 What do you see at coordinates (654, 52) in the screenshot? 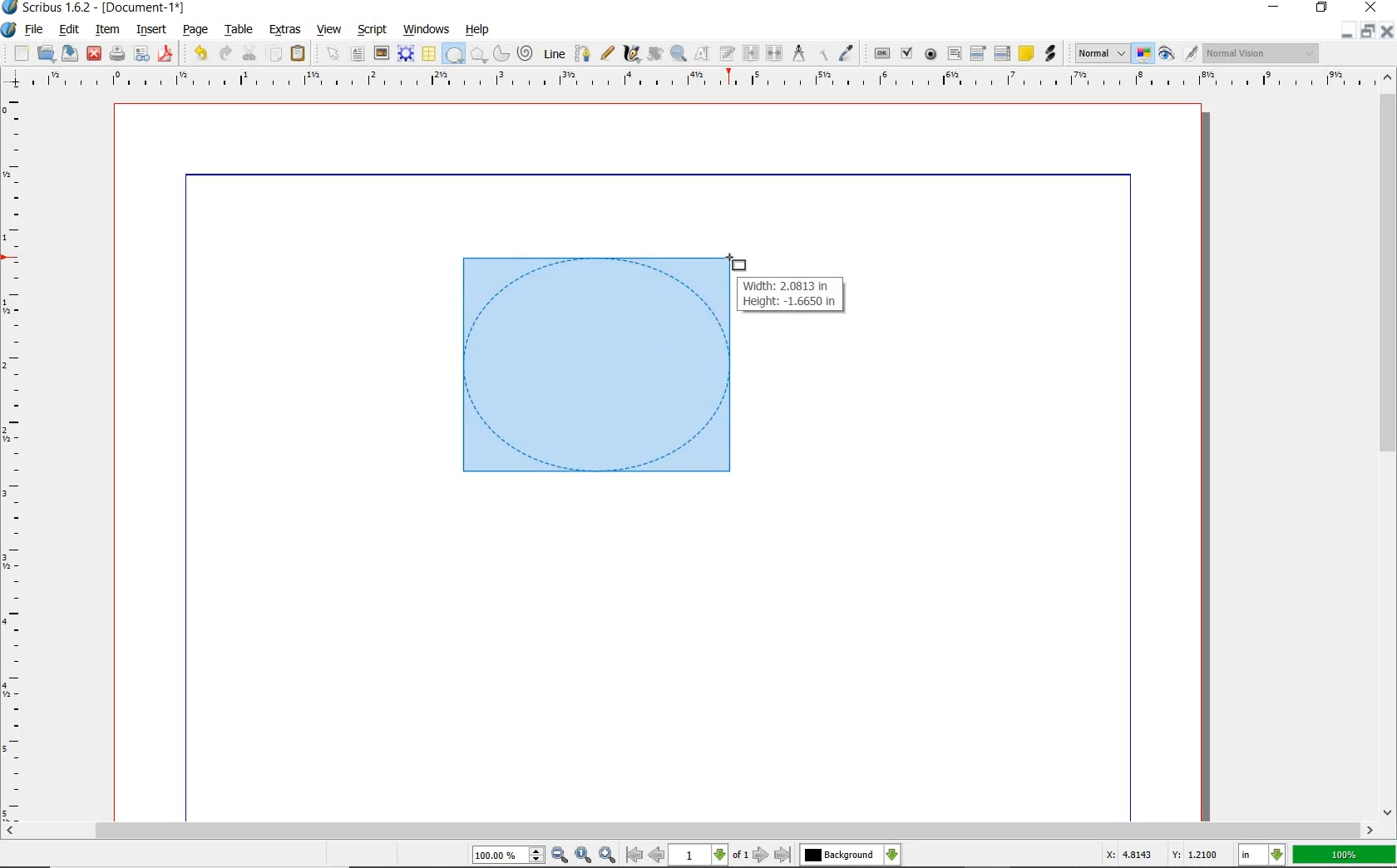
I see `ROTATE ITEM` at bounding box center [654, 52].